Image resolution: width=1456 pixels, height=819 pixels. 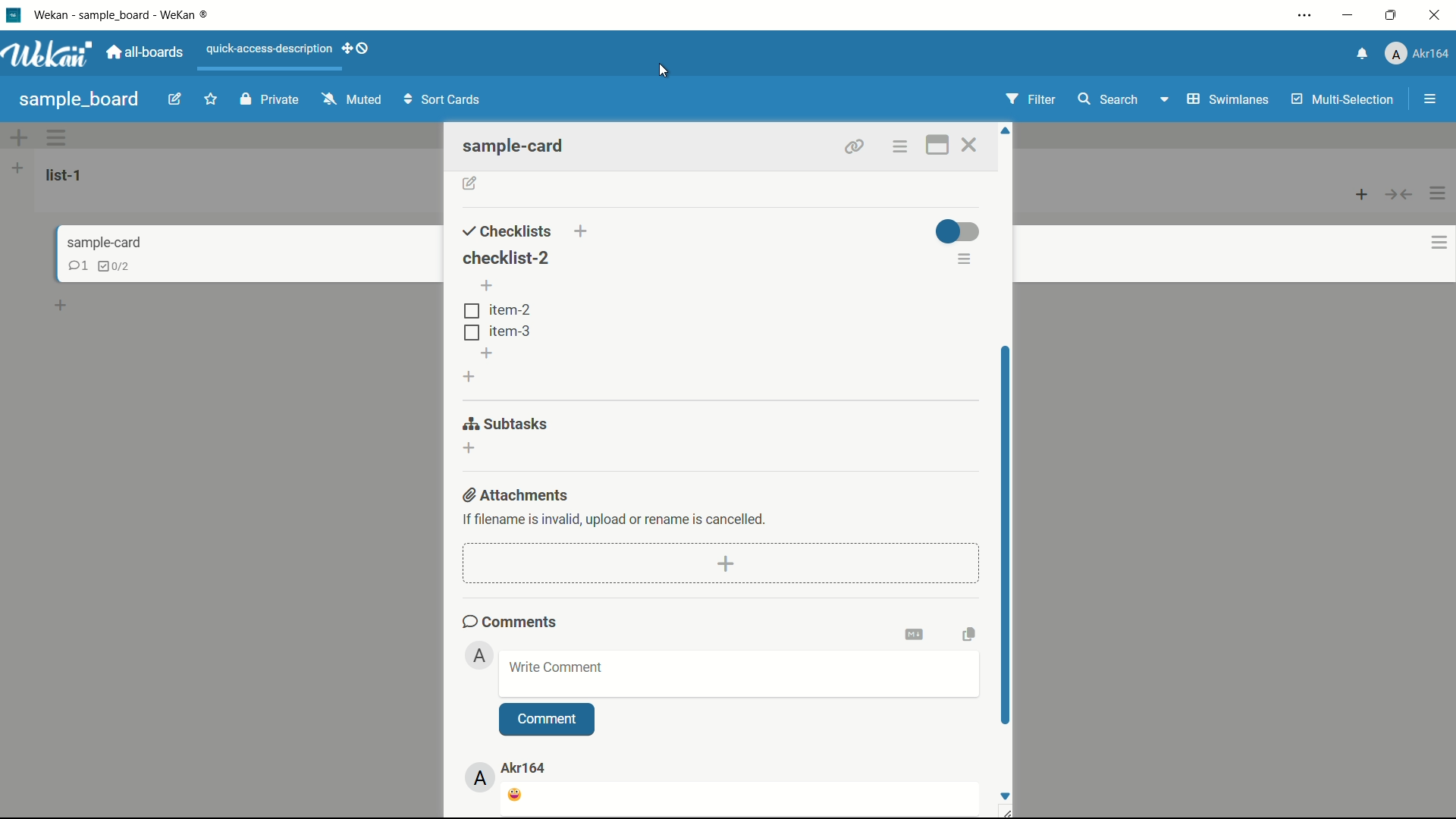 I want to click on swimlane actions, so click(x=58, y=138).